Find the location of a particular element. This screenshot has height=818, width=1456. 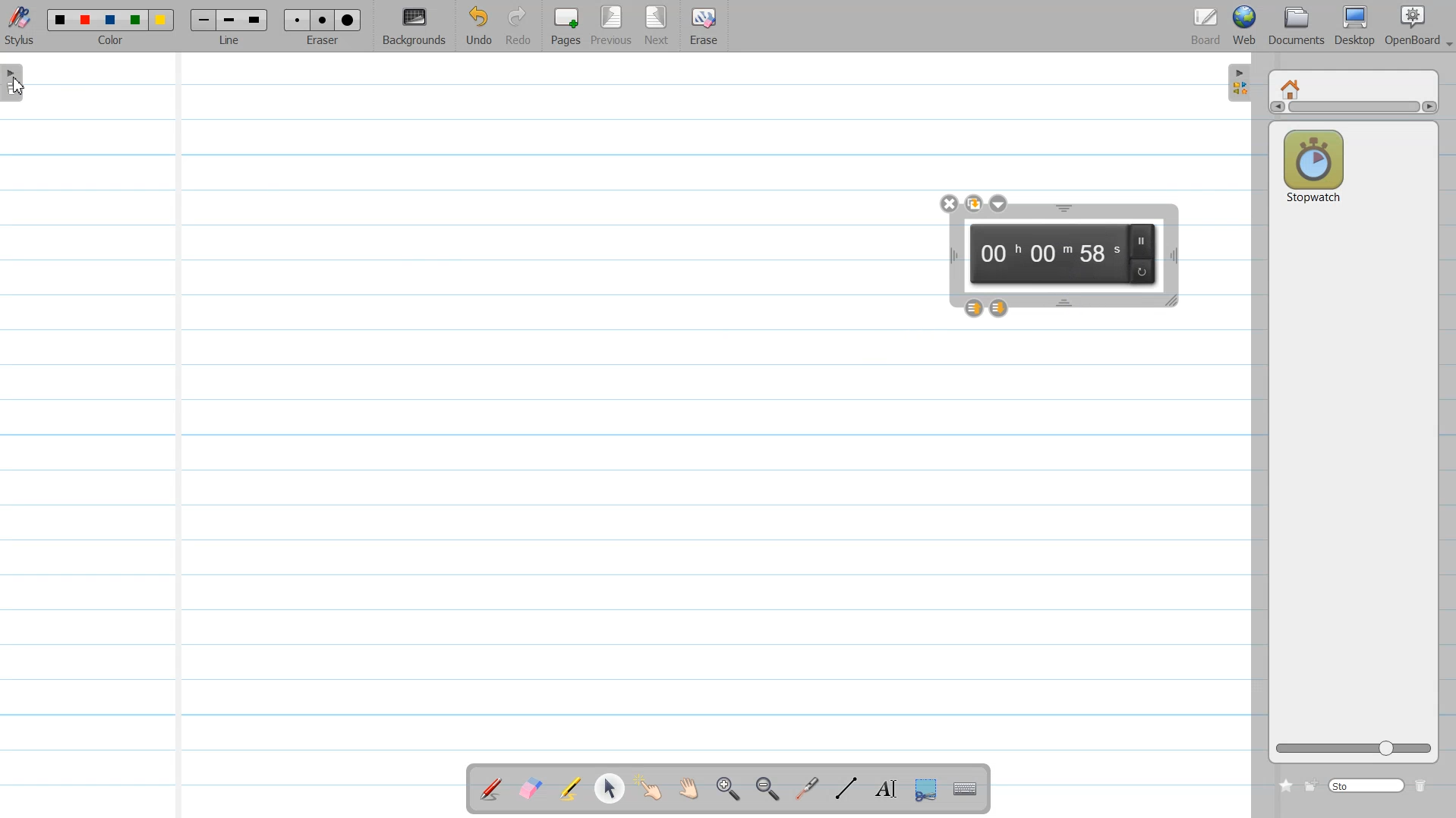

Line is located at coordinates (229, 27).